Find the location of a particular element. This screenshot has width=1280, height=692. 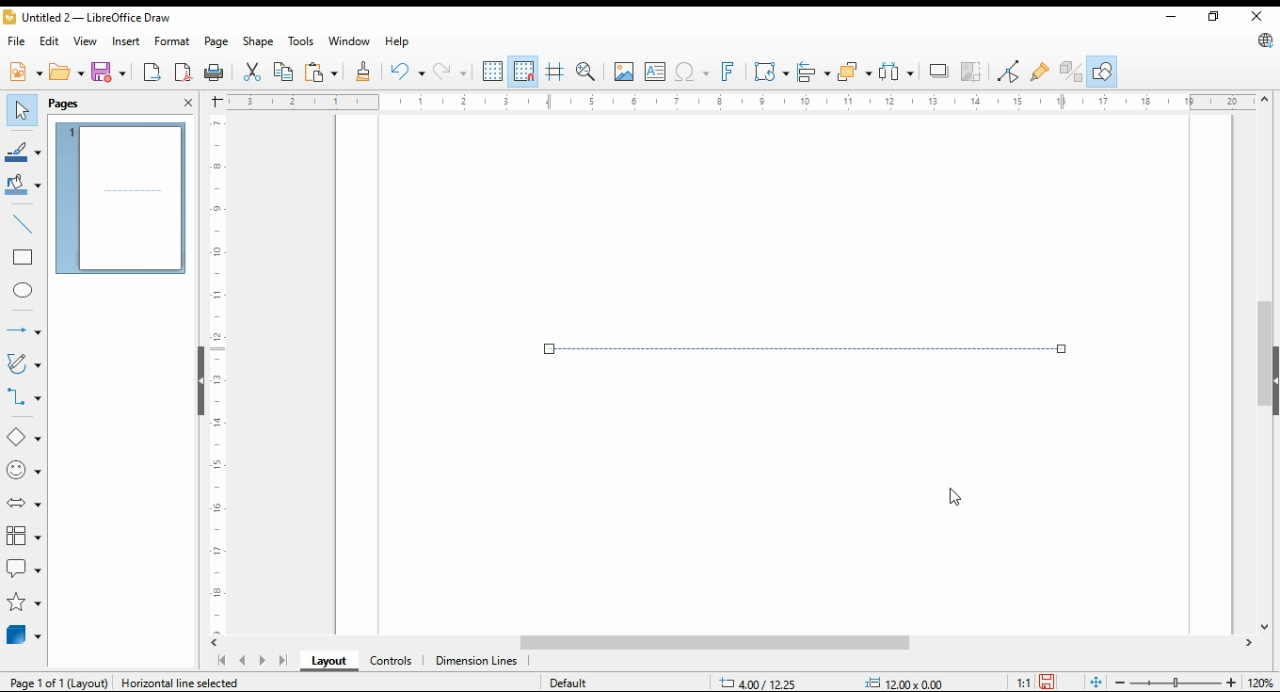

scroll bar is located at coordinates (740, 644).